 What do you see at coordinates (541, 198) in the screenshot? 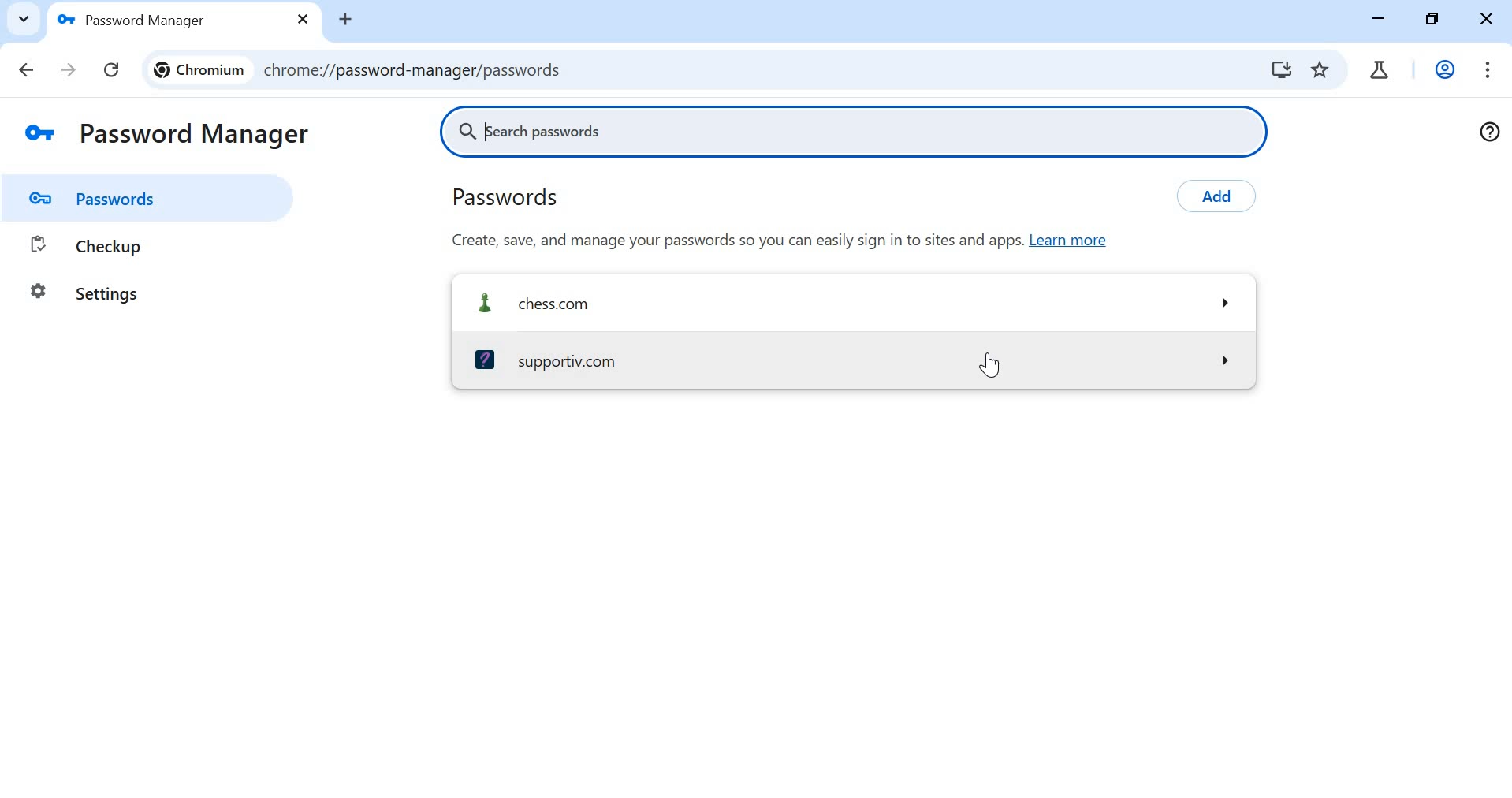
I see `passwords` at bounding box center [541, 198].